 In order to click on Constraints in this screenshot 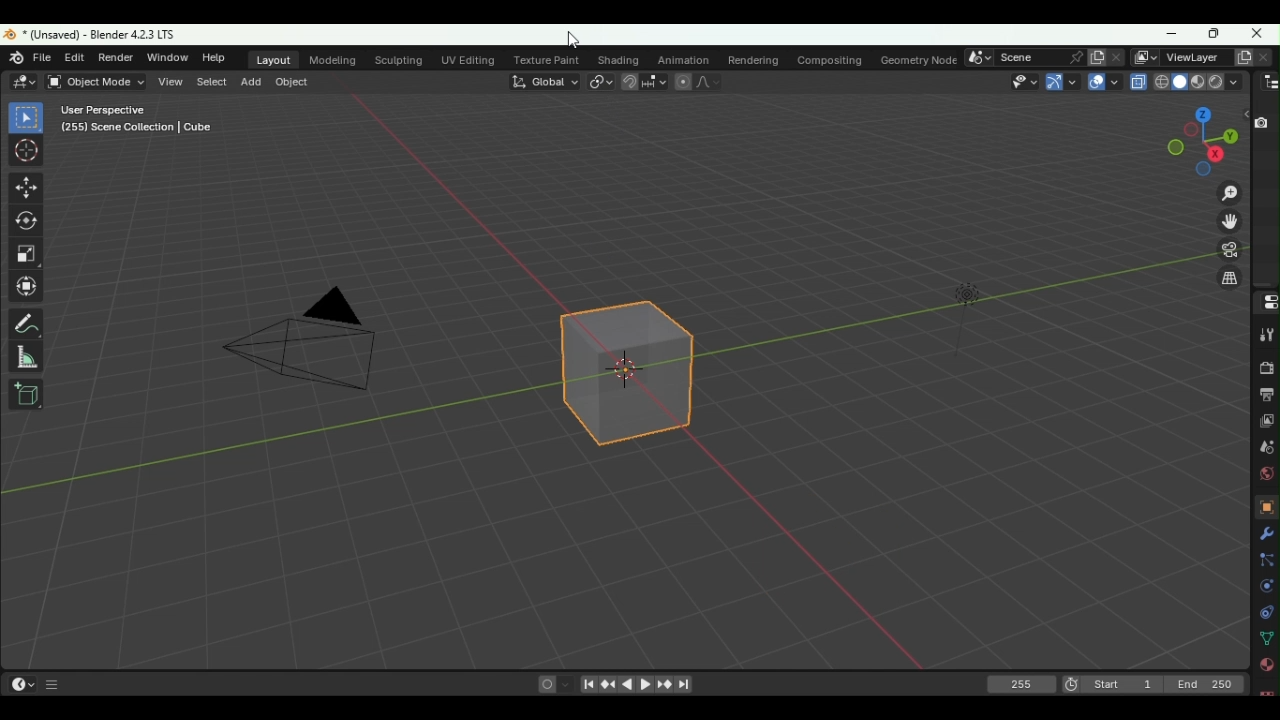, I will do `click(1266, 612)`.